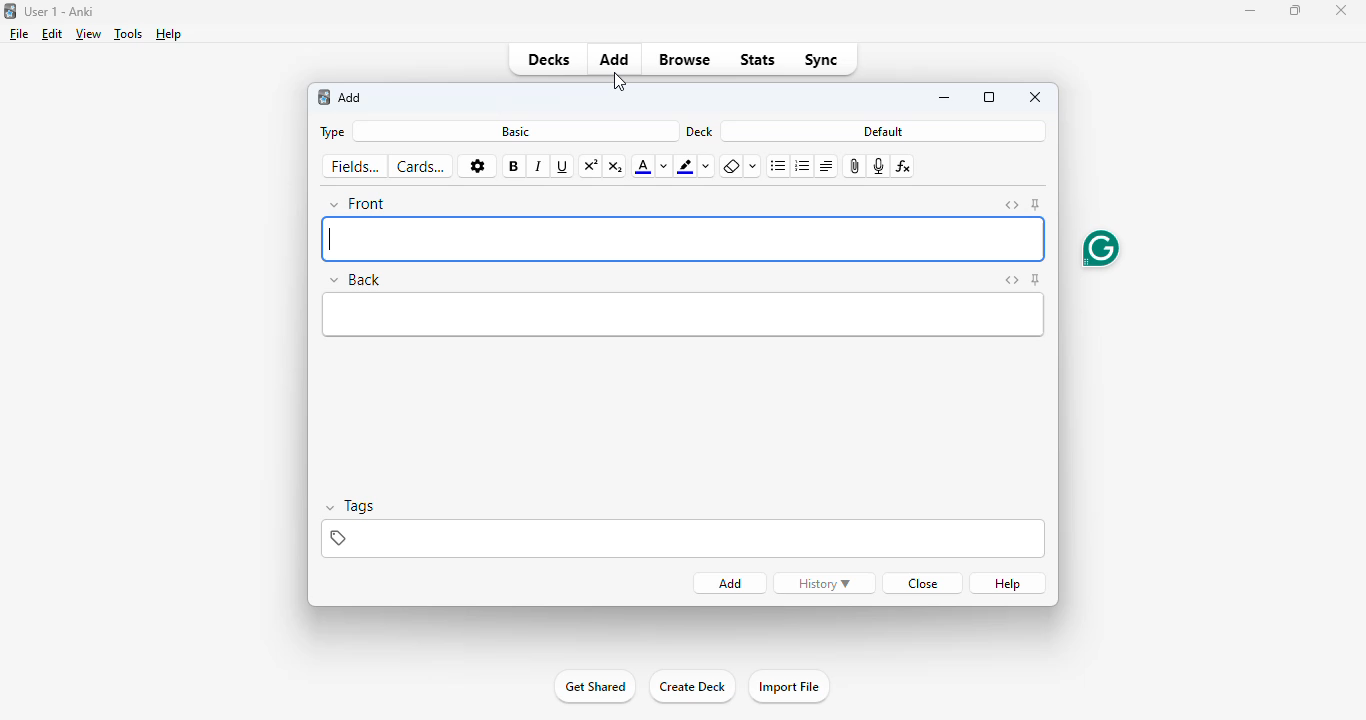  I want to click on edit, so click(52, 34).